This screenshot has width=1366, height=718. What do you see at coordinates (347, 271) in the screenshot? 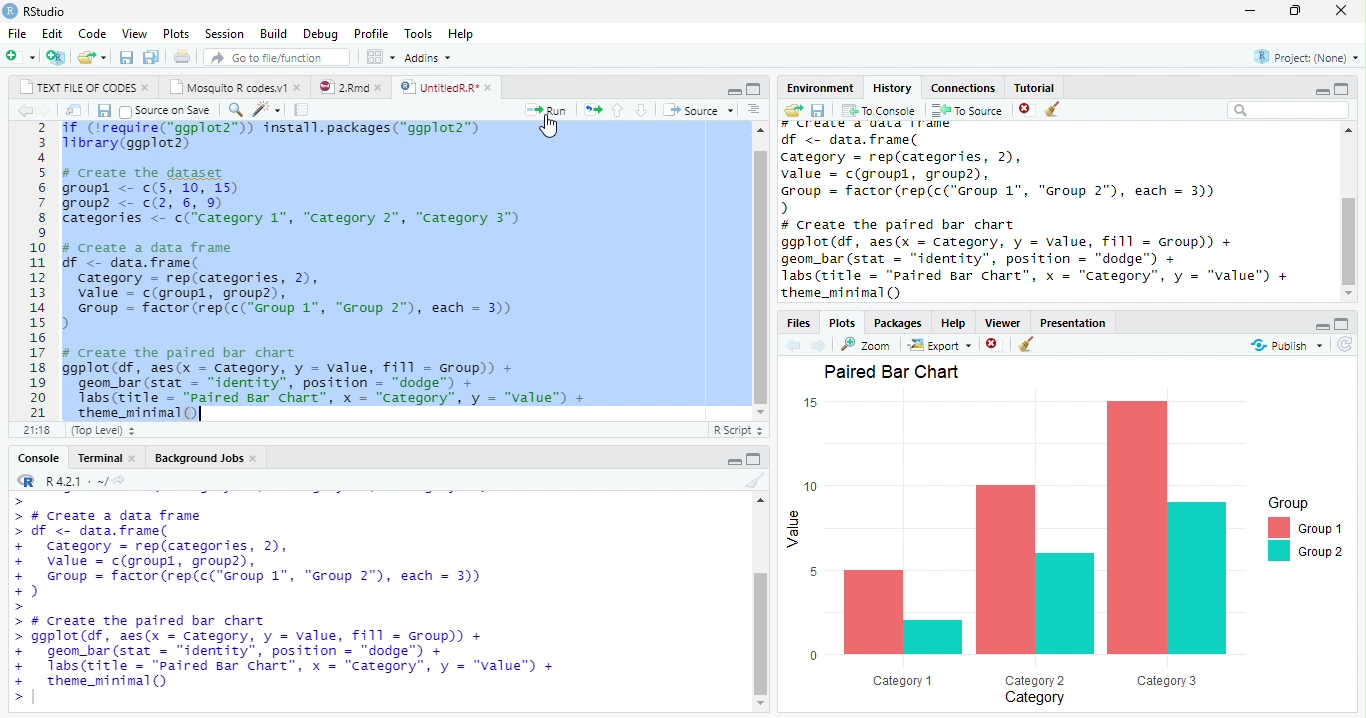
I see `if (treguire(“ggplot2™)) install.packages("ggplot2™)Tibrary(ggplot2)# Create the datasetgroupl <- c(5, 10, 15)group? <- c(2, 6, 9)Categories <- c(‘Category 1", “Category 2", “Category 3")# Create a data framedf <- data. frame(category = rep(categories, 2),value = c(groupl, group2),Group = factor (rep(c("Group 1", “Group 2°), each = 3))># Create the paired bar chartggplot (df, aes(x = Category, y = value, fill = Group) +geom_bar (stat = “identity”, position = "dodge™) +Tabs (title = "Paired Bar Chart”, x = “Category”, y = “value") +theme_minimal()` at bounding box center [347, 271].